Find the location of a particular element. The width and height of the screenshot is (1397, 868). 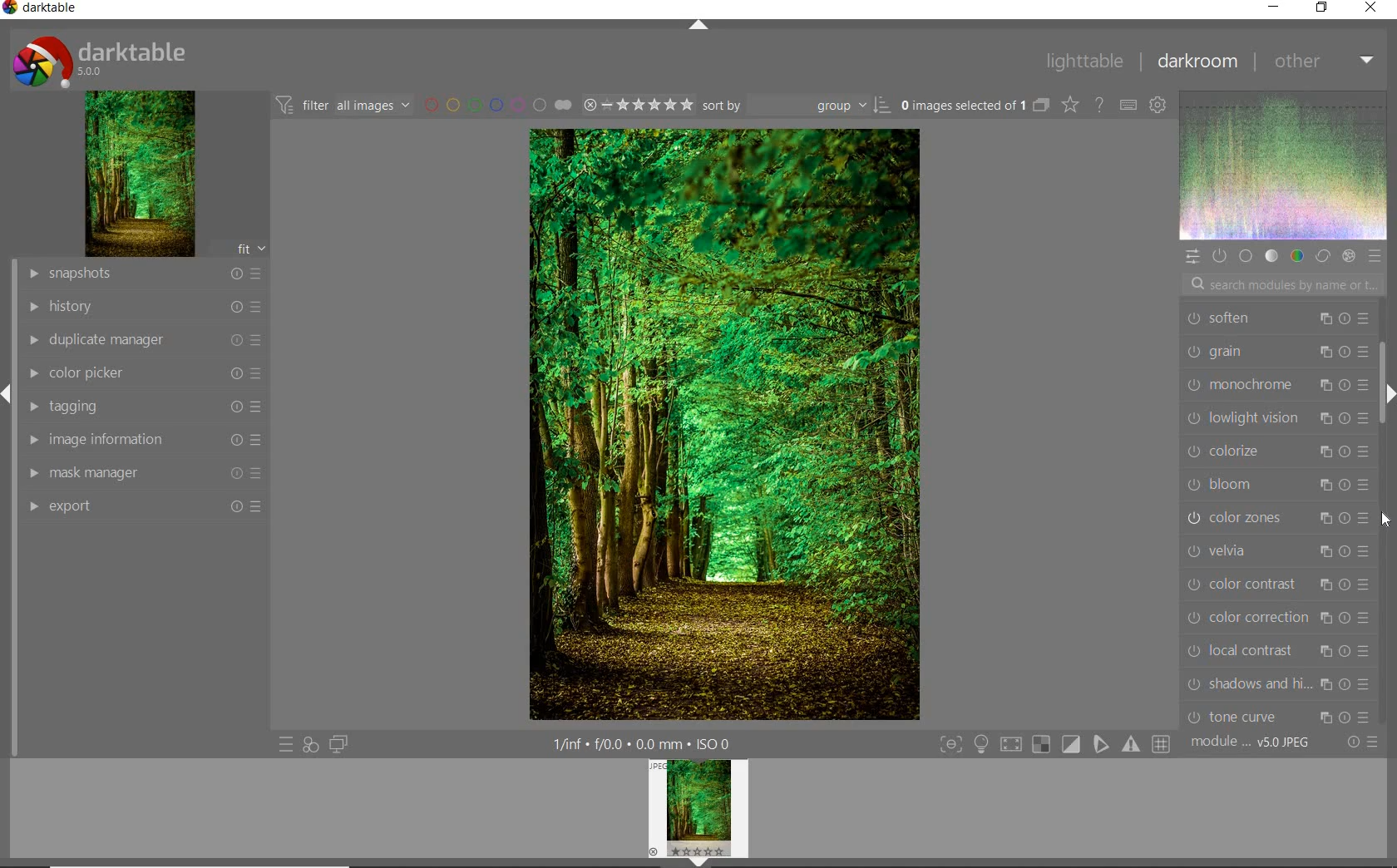

TAGGING is located at coordinates (143, 407).